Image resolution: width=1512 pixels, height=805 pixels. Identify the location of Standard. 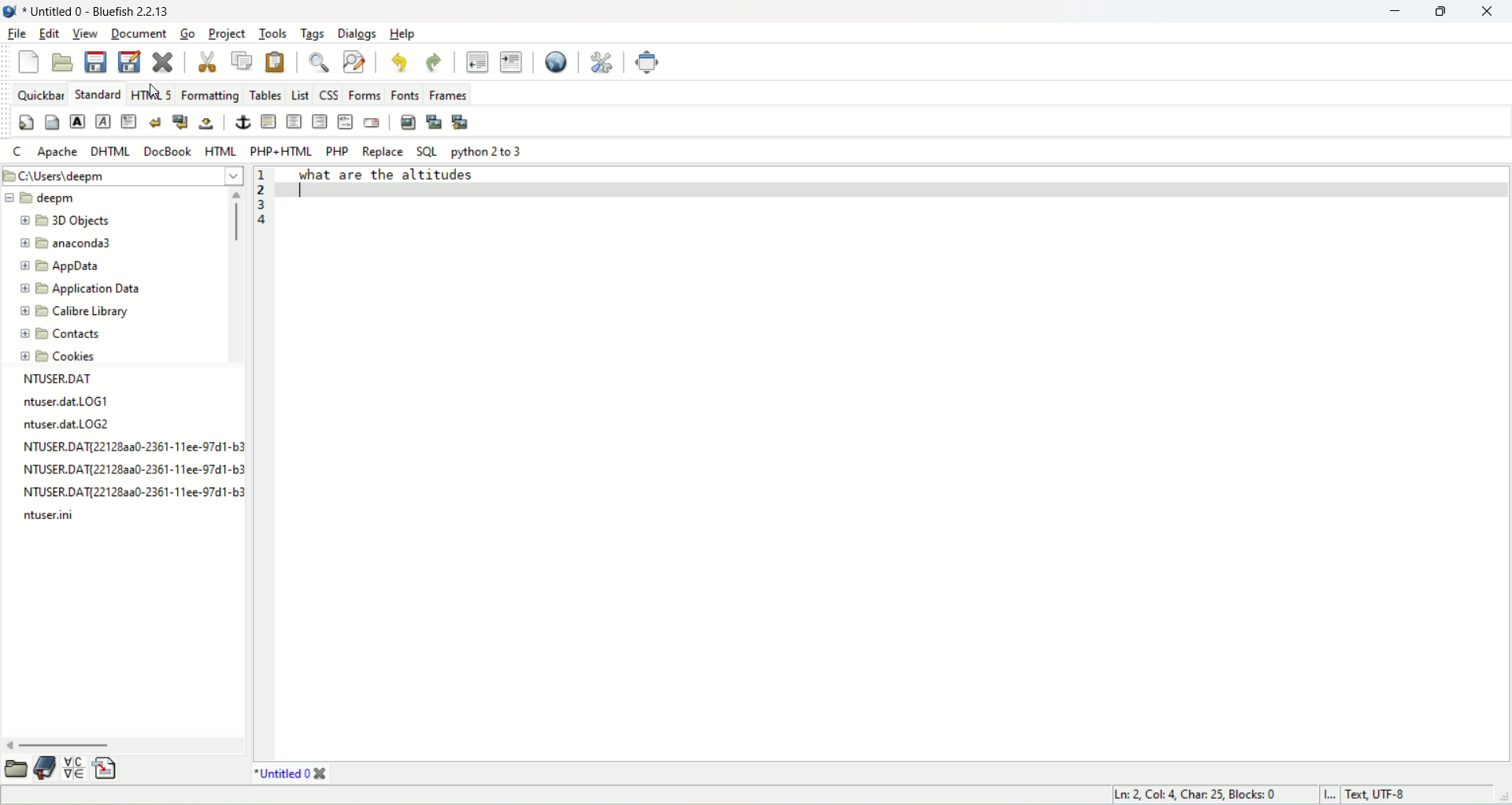
(98, 94).